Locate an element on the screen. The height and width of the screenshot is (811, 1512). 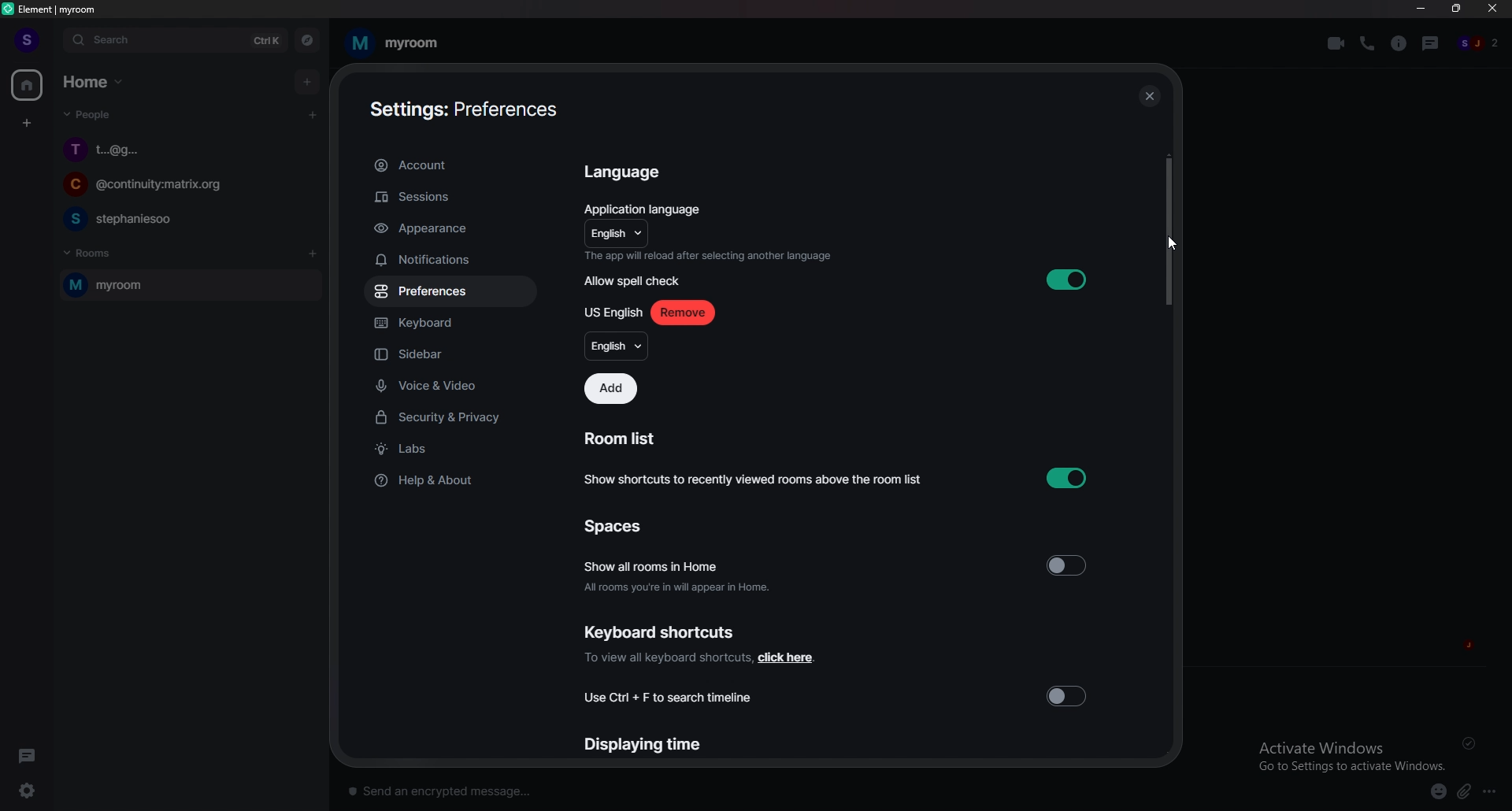
create a space is located at coordinates (28, 124).